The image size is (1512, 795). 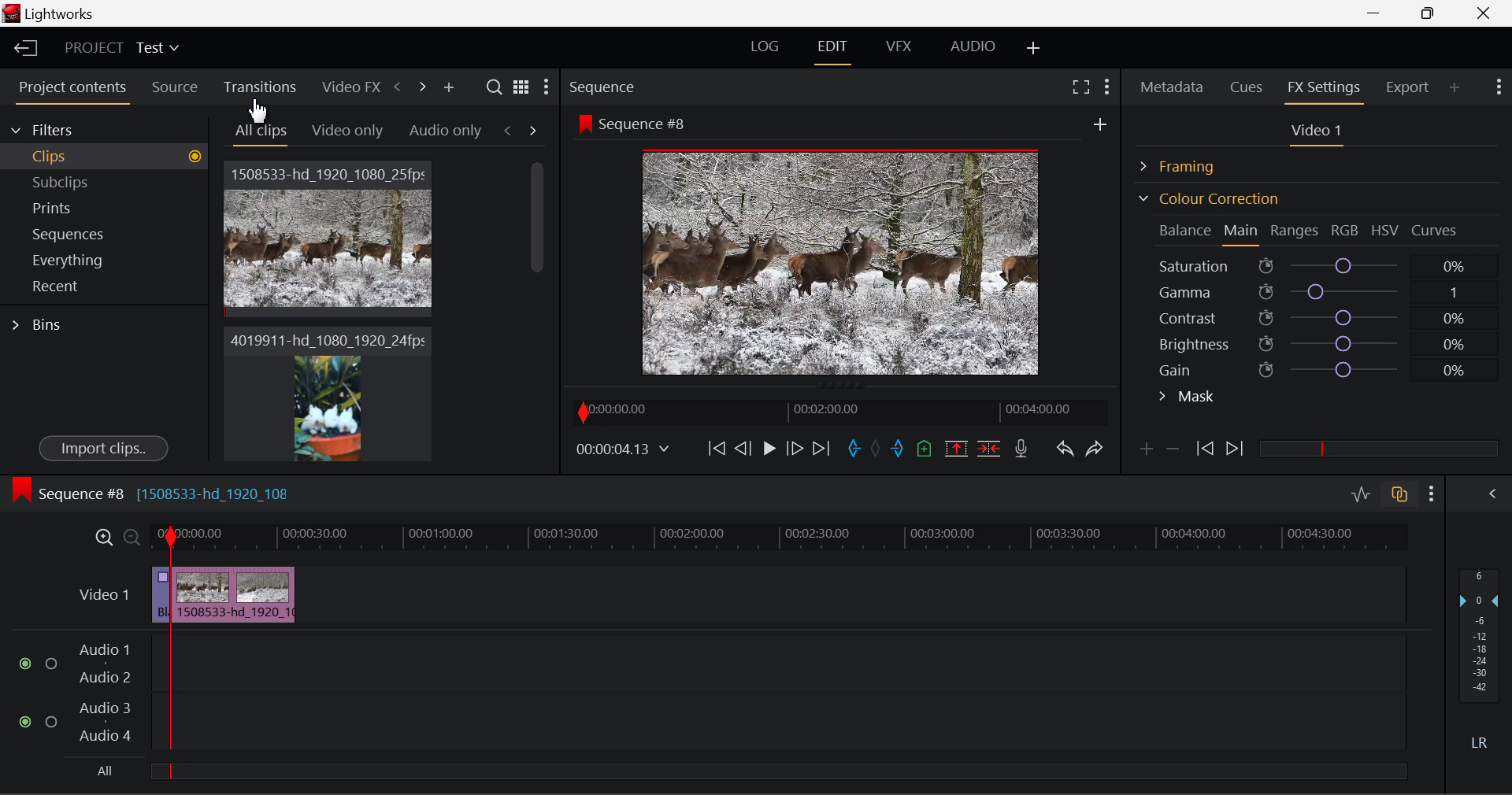 I want to click on Project Title, so click(x=122, y=49).